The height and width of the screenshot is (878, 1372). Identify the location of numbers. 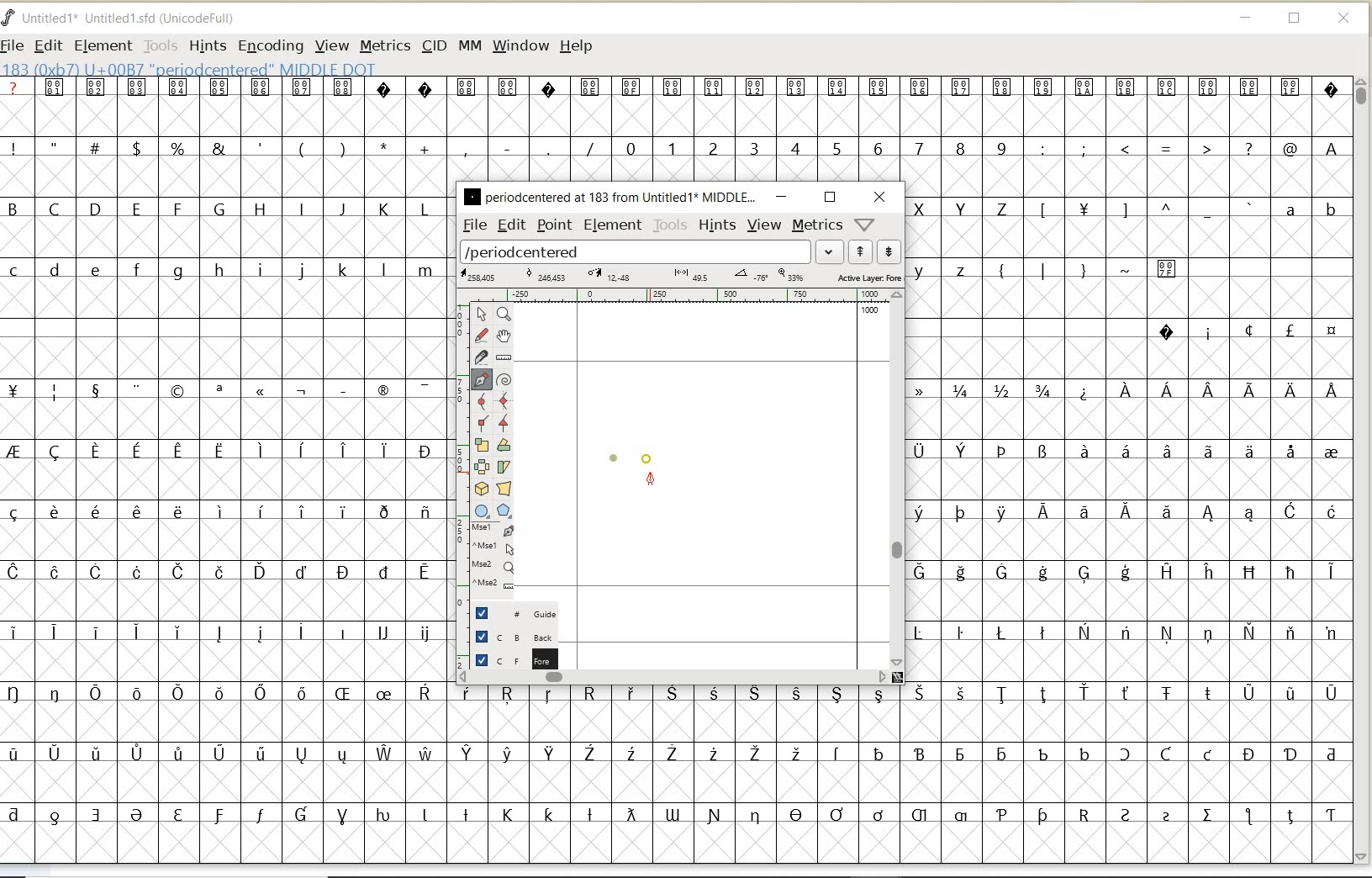
(812, 147).